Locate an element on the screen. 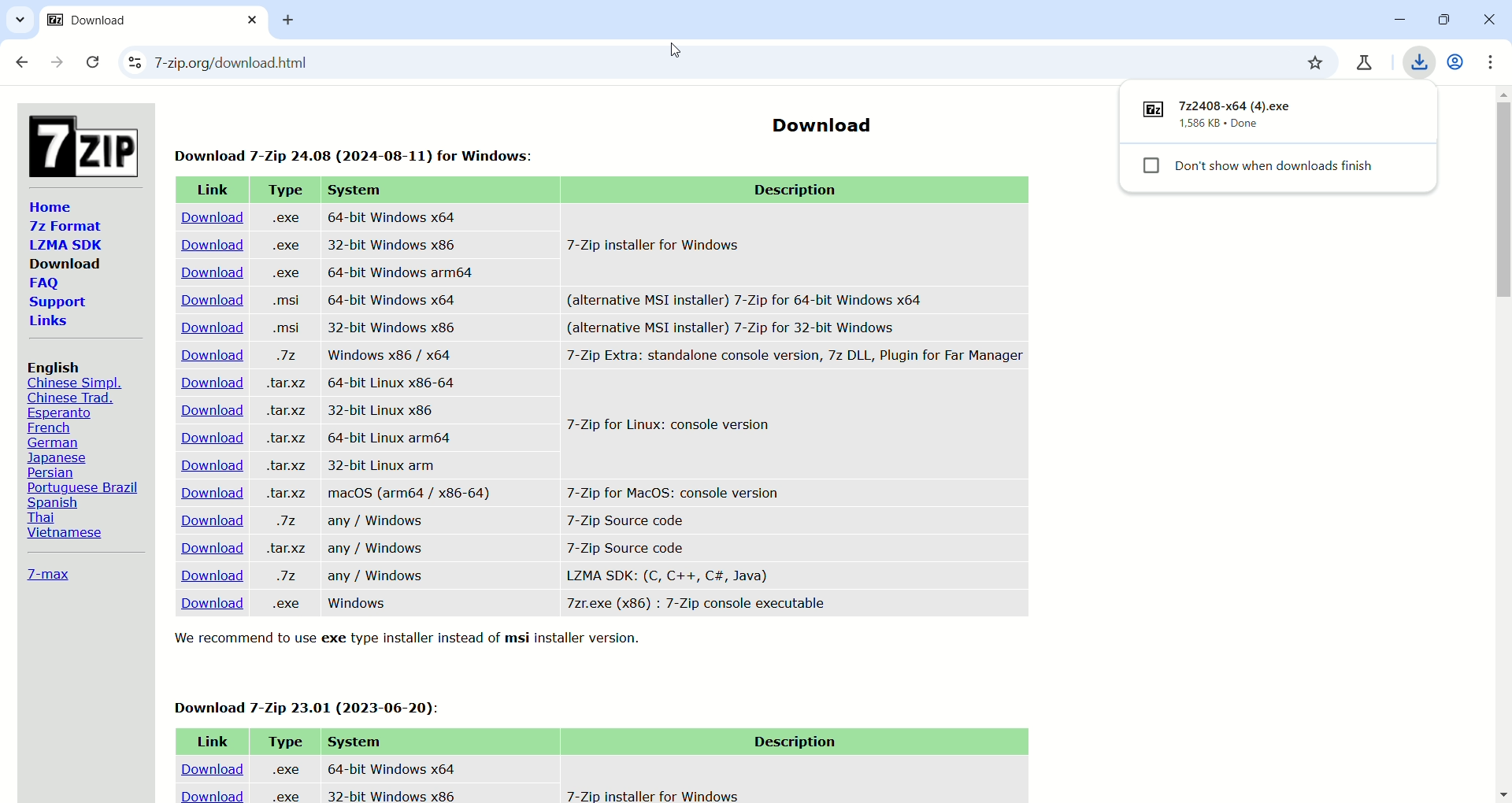 The width and height of the screenshot is (1512, 803). LZMA SDK: (C, C++, C#, Java) is located at coordinates (666, 575).